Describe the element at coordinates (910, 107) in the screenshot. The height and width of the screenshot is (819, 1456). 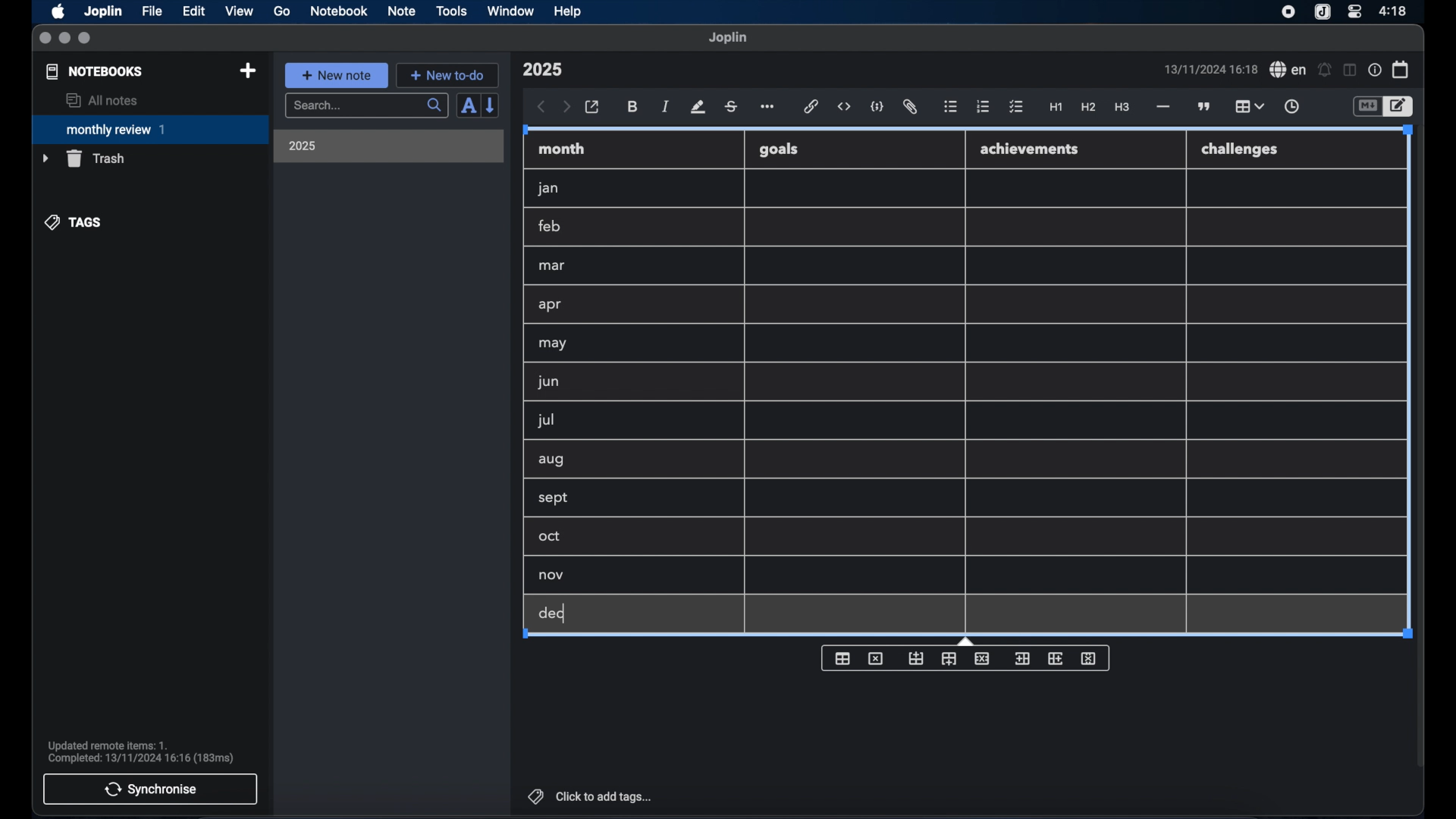
I see `attach file` at that location.